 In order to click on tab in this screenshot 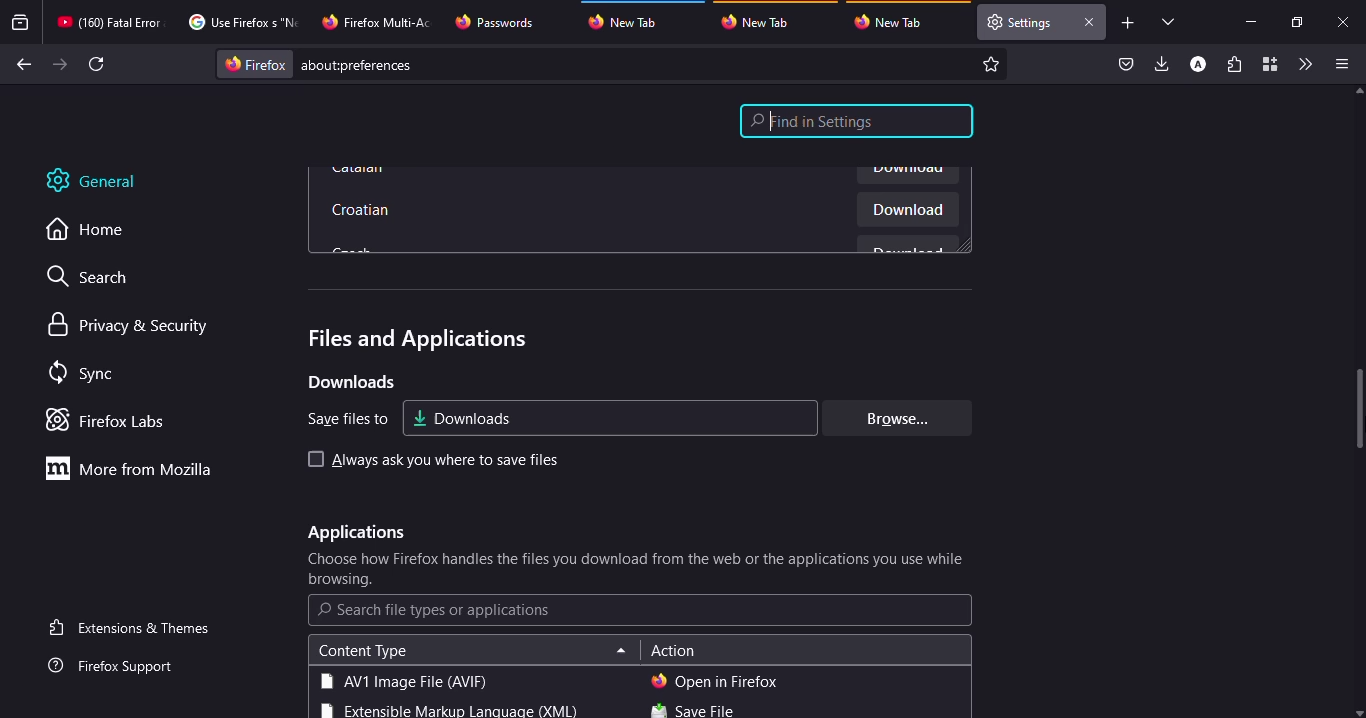, I will do `click(109, 22)`.